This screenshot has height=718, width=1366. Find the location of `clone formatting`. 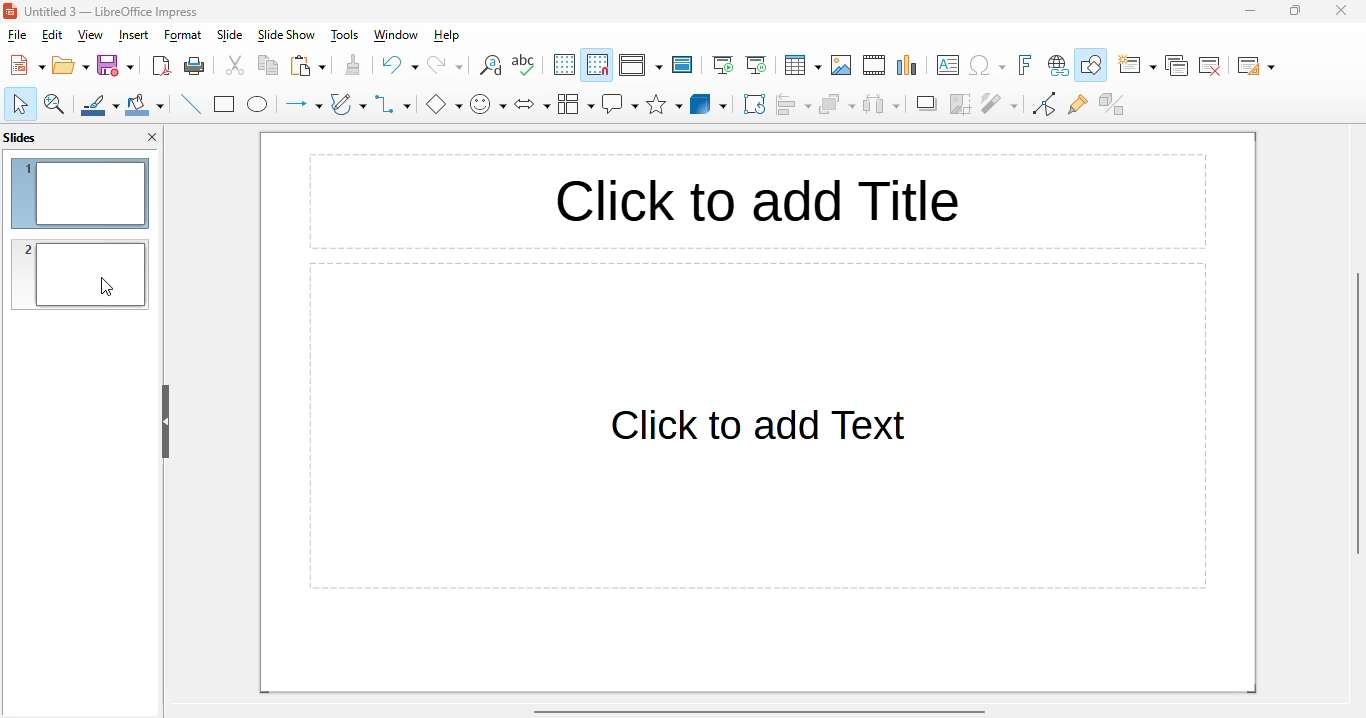

clone formatting is located at coordinates (353, 65).